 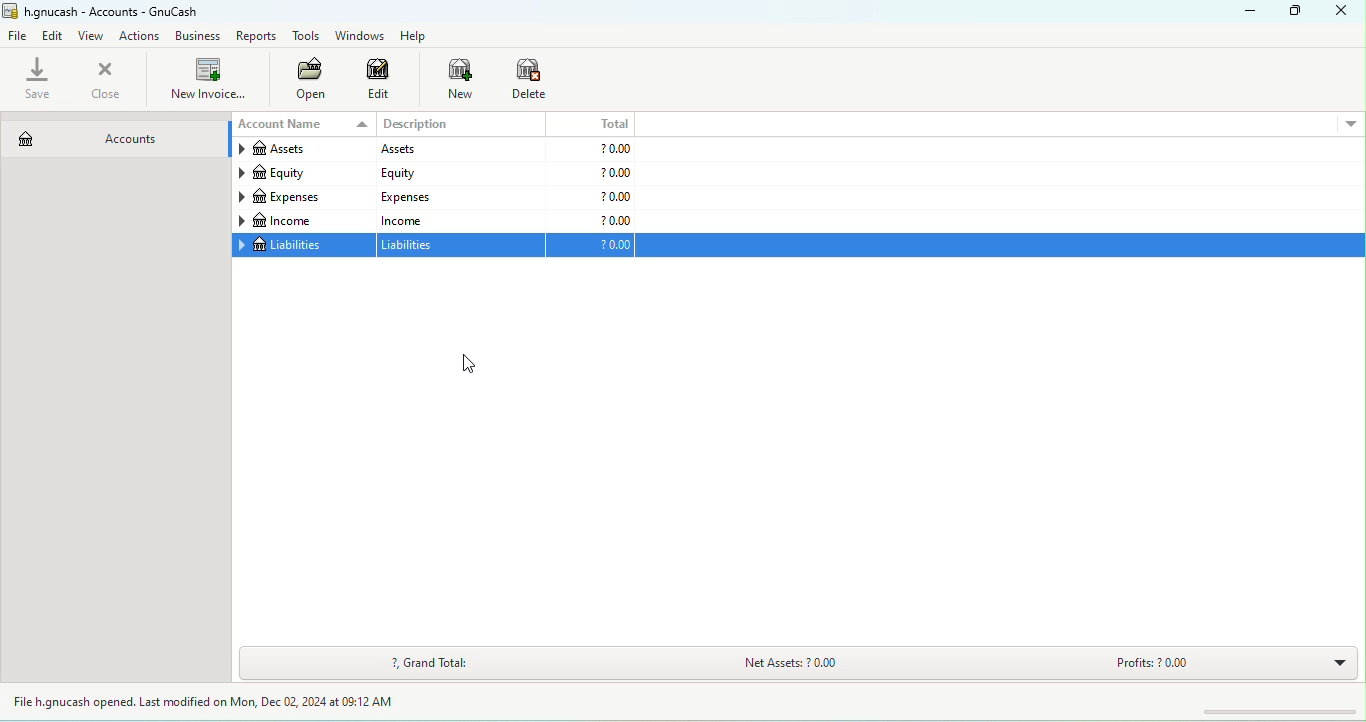 I want to click on ?0.00, so click(x=589, y=197).